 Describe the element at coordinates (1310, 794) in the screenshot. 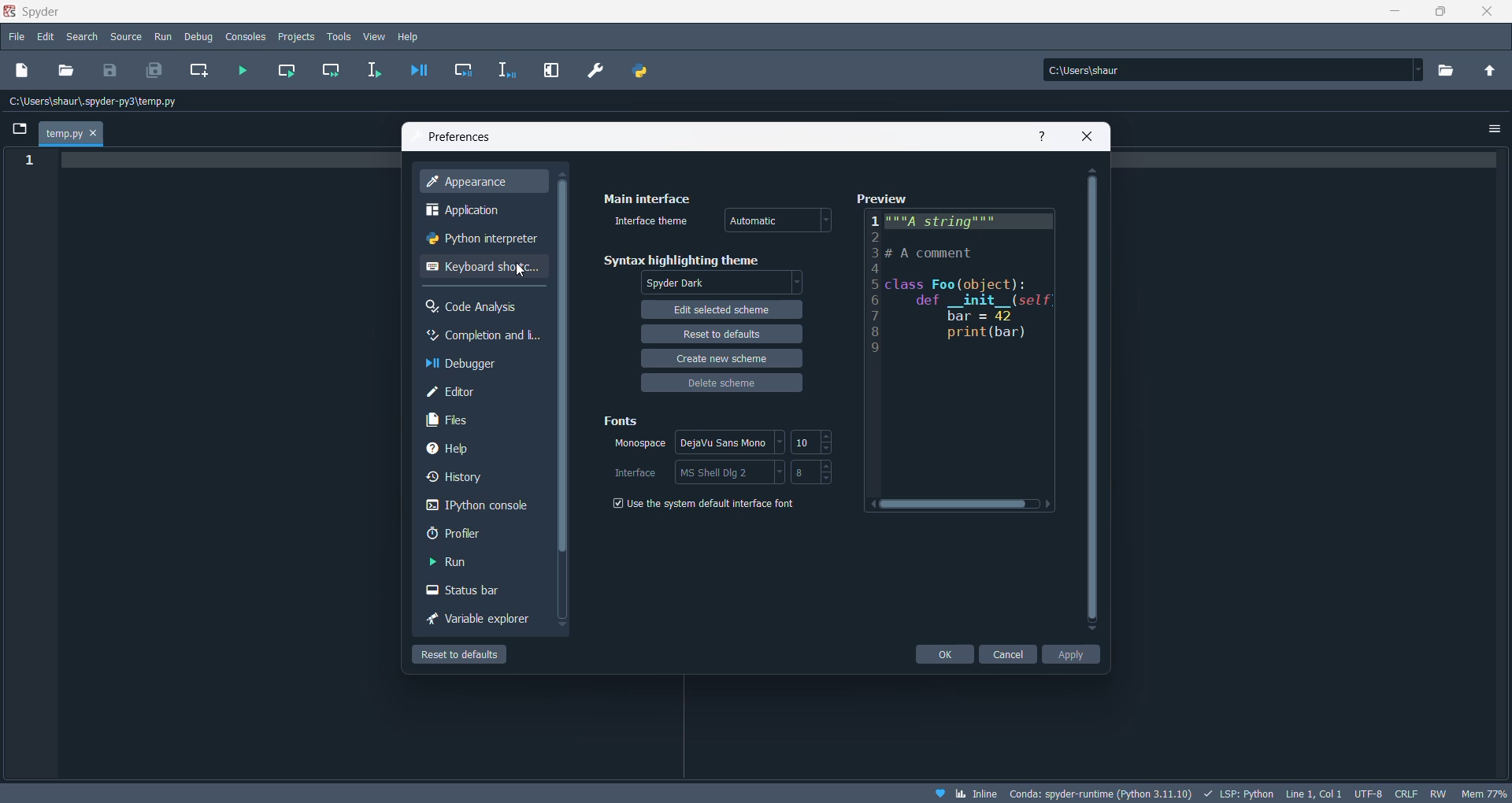

I see `line and column number` at that location.